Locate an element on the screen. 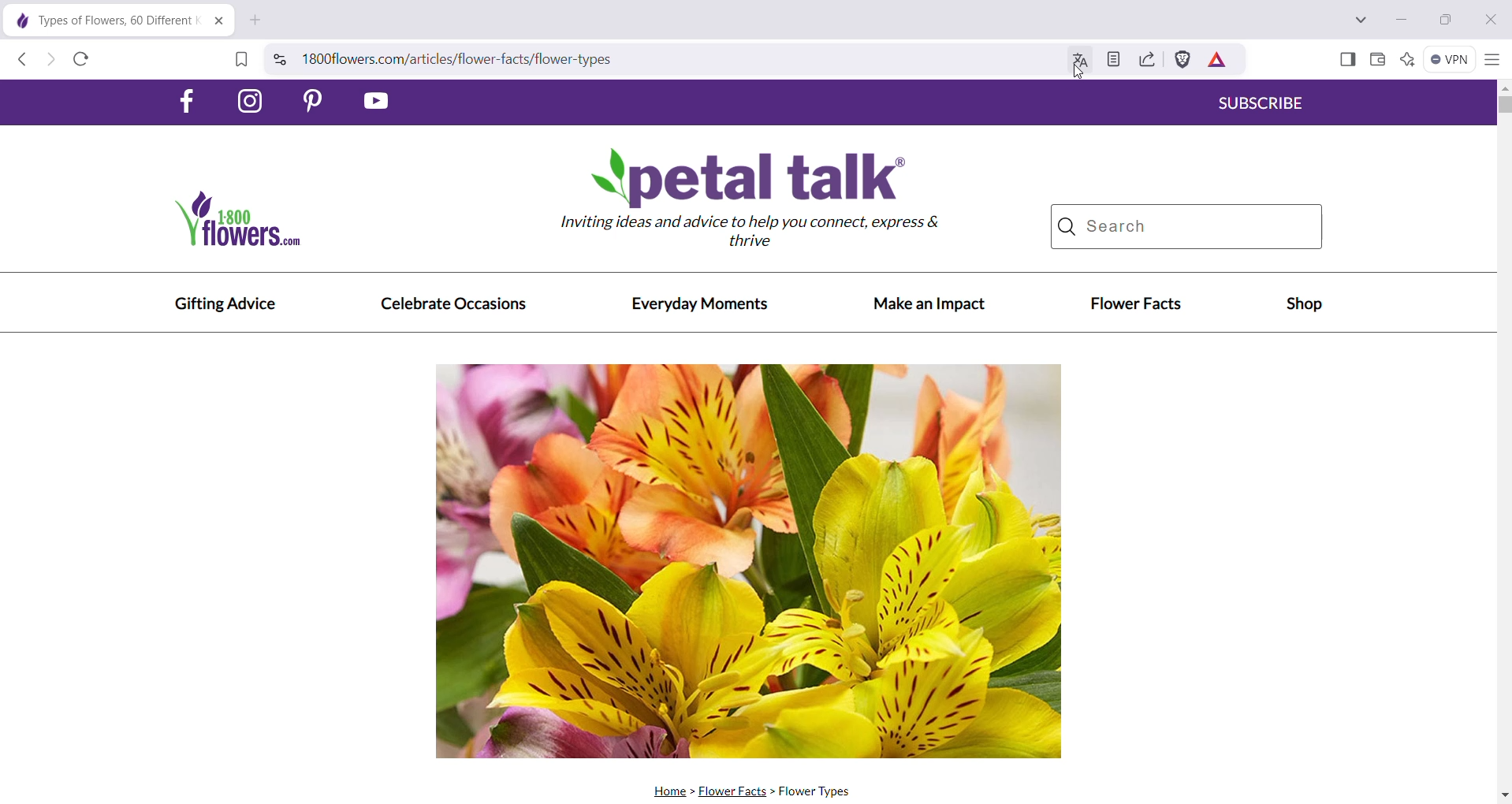  Brave Shields is located at coordinates (1181, 60).